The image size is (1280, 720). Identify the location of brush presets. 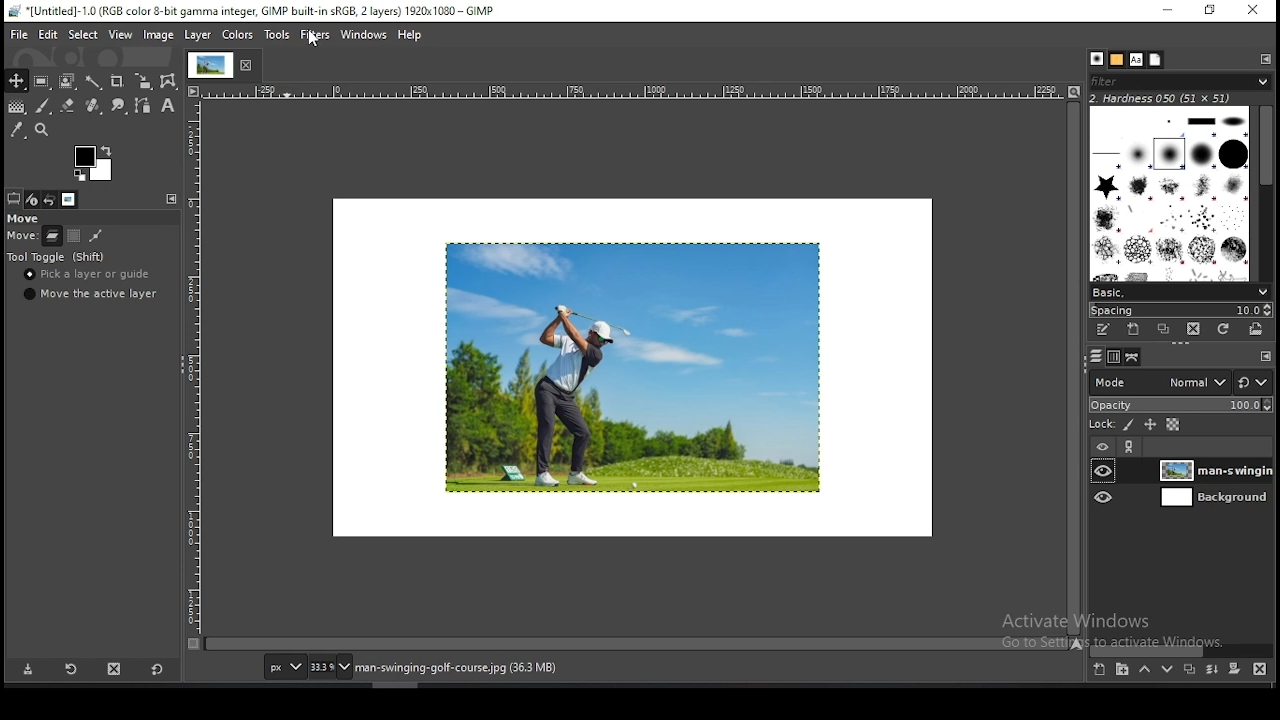
(1177, 291).